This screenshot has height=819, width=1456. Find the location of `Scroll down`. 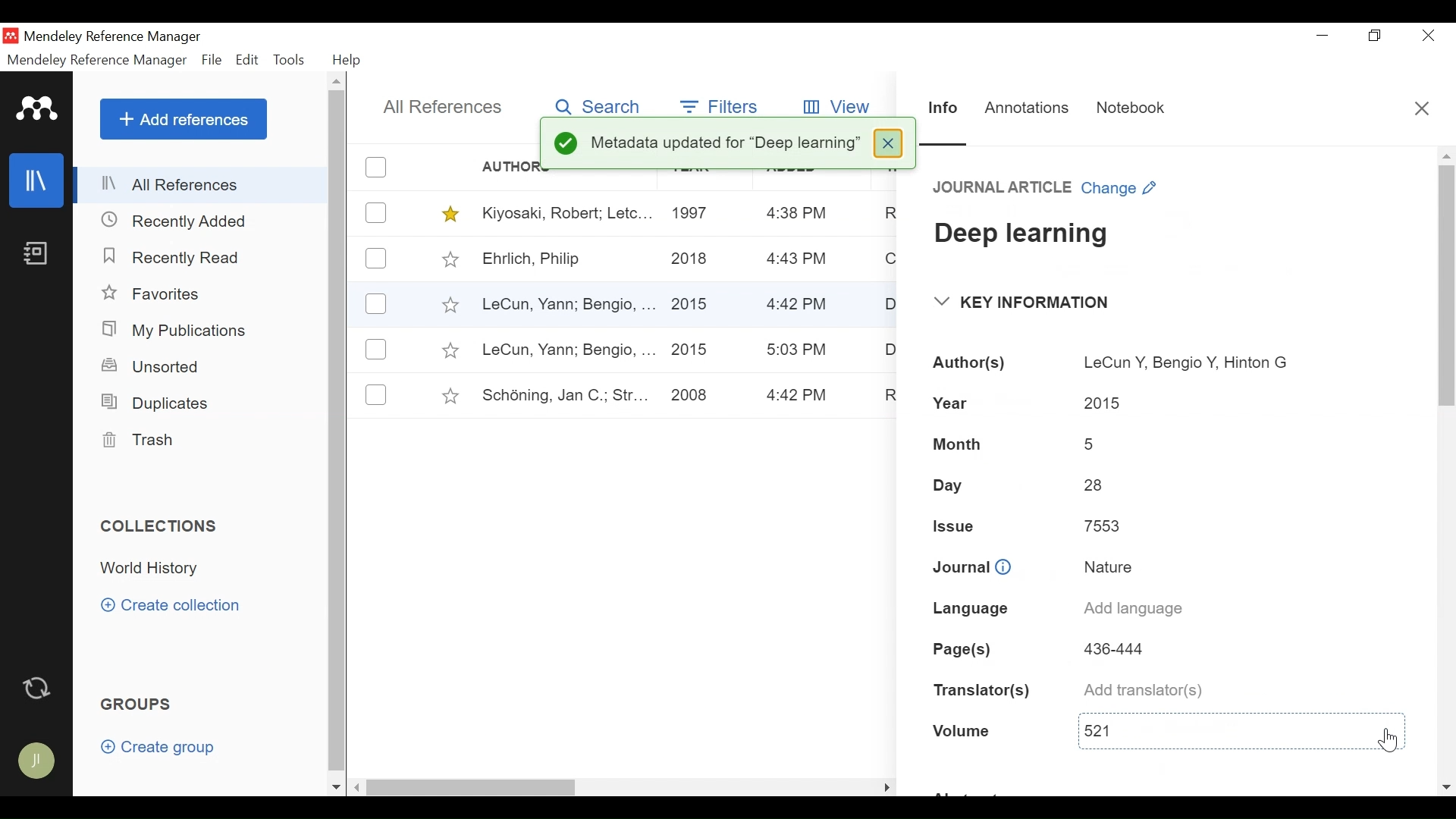

Scroll down is located at coordinates (336, 787).